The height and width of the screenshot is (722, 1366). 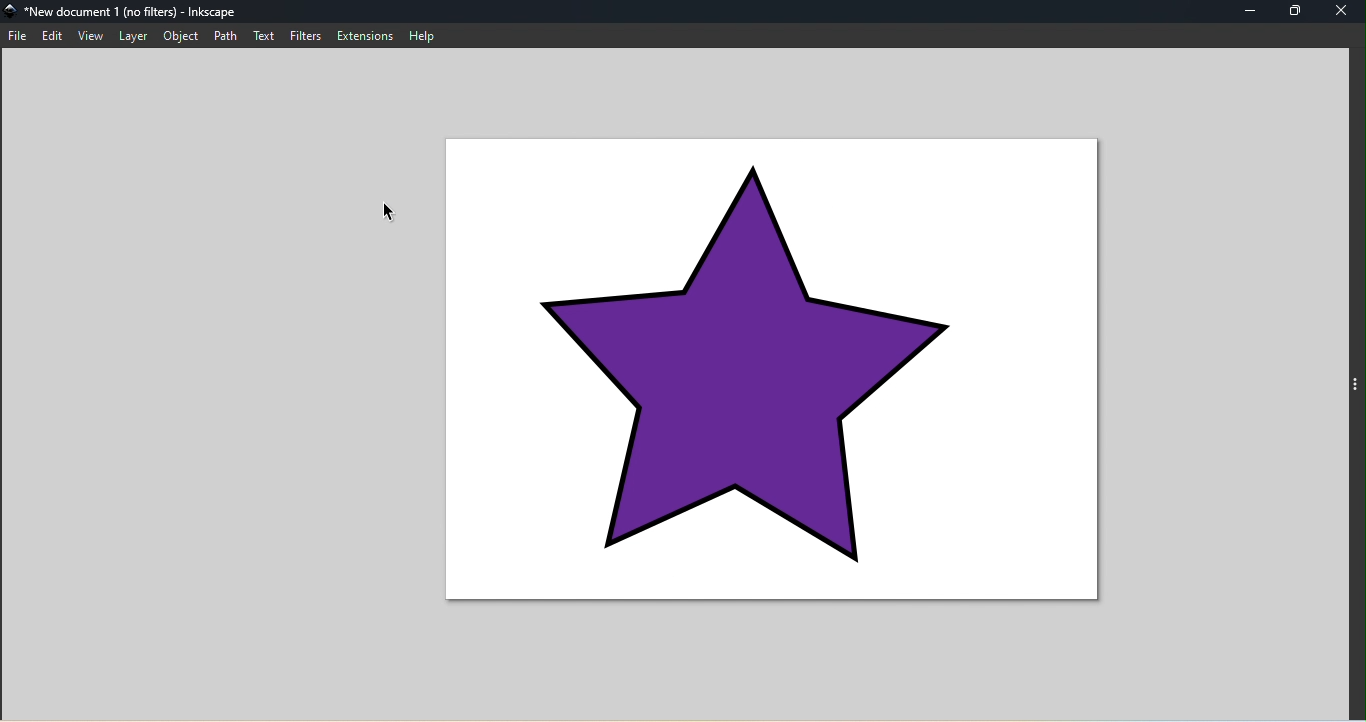 I want to click on Cursor, so click(x=397, y=215).